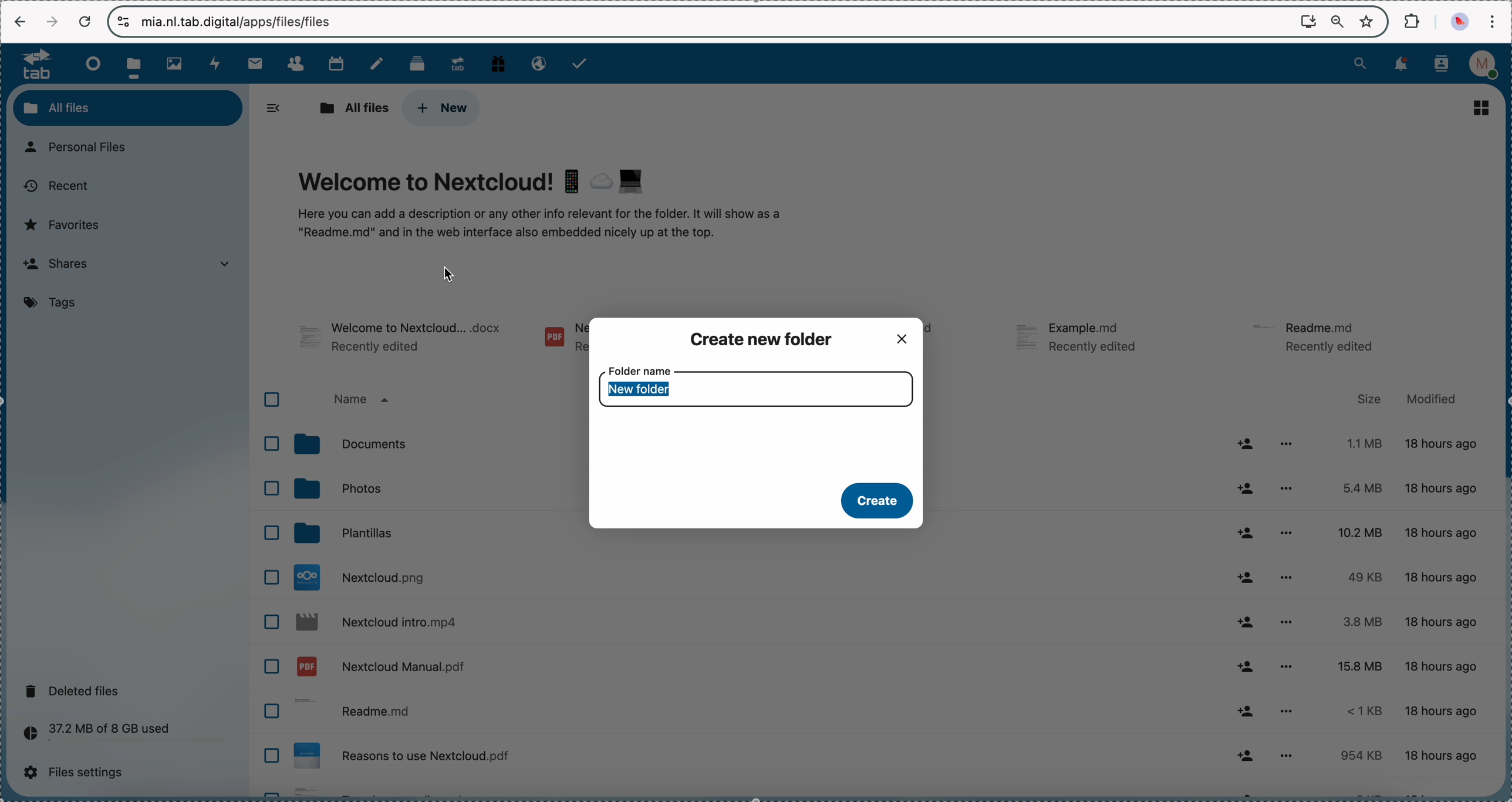  Describe the element at coordinates (76, 690) in the screenshot. I see `deleted files` at that location.